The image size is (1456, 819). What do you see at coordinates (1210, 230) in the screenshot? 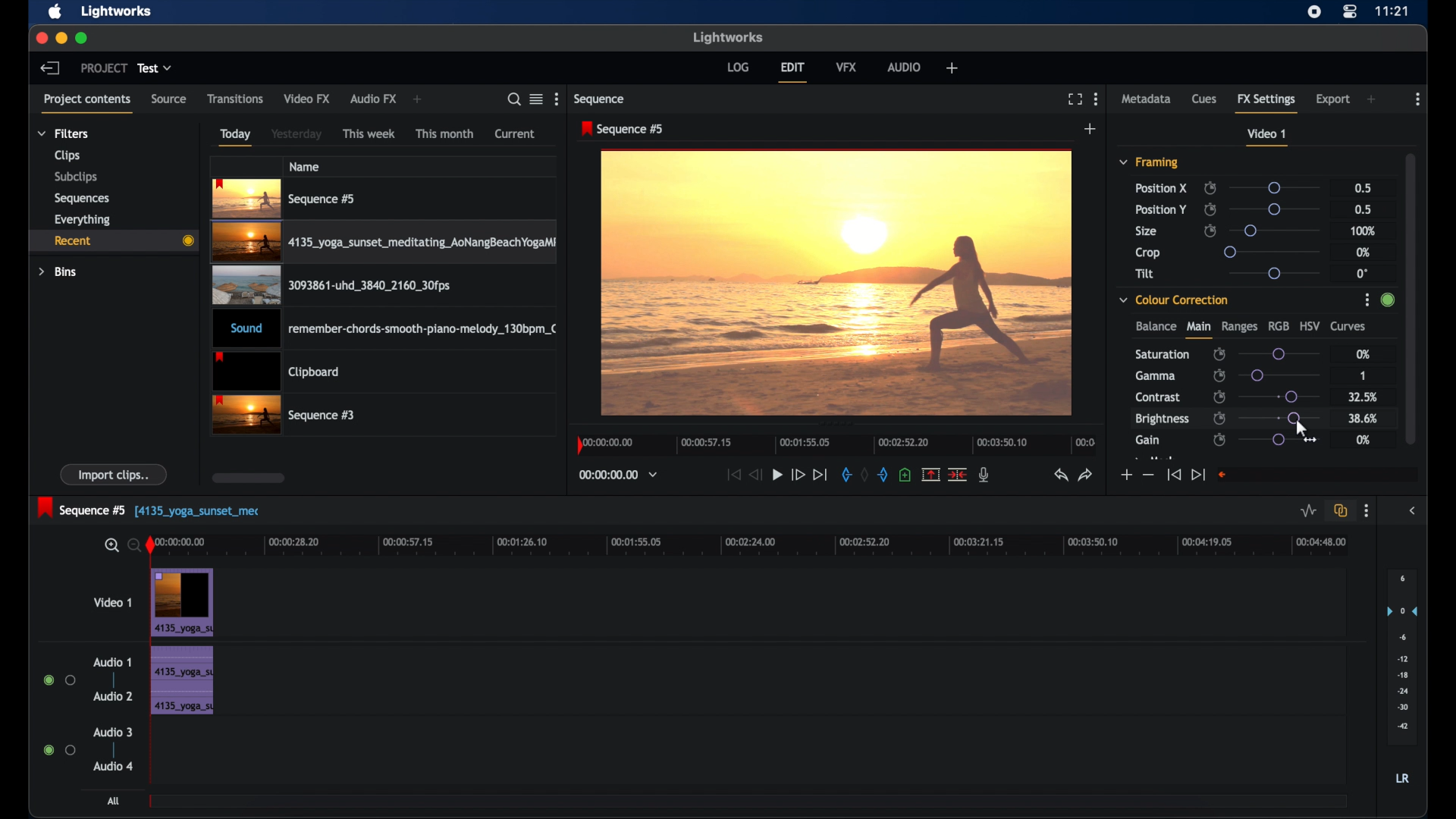
I see `enable/disable keyframes` at bounding box center [1210, 230].